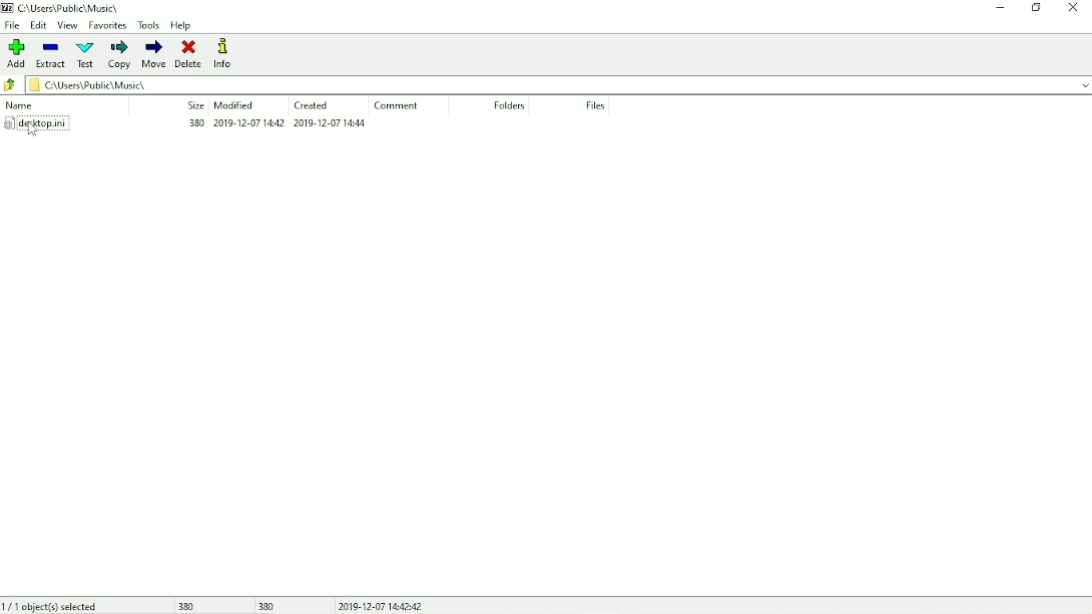 The width and height of the screenshot is (1092, 614). Describe the element at coordinates (195, 105) in the screenshot. I see `Size` at that location.